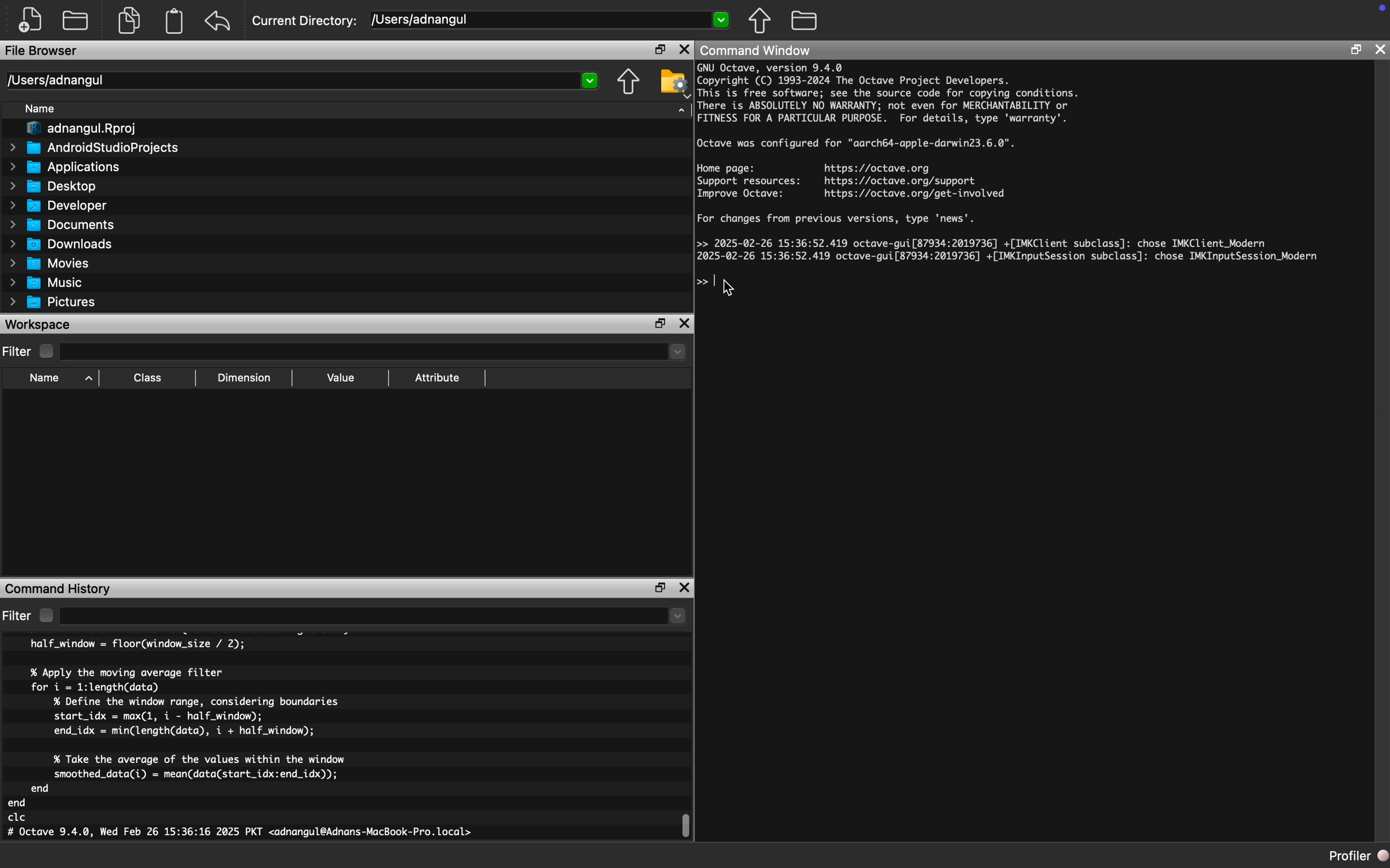 This screenshot has width=1390, height=868. Describe the element at coordinates (685, 323) in the screenshot. I see `Close` at that location.